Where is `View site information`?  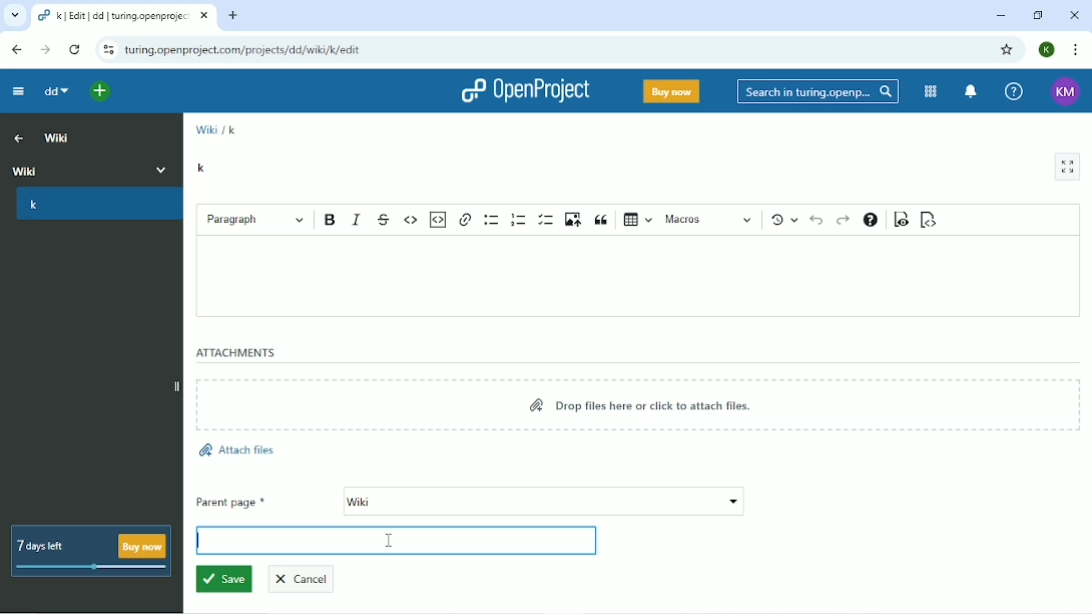 View site information is located at coordinates (109, 50).